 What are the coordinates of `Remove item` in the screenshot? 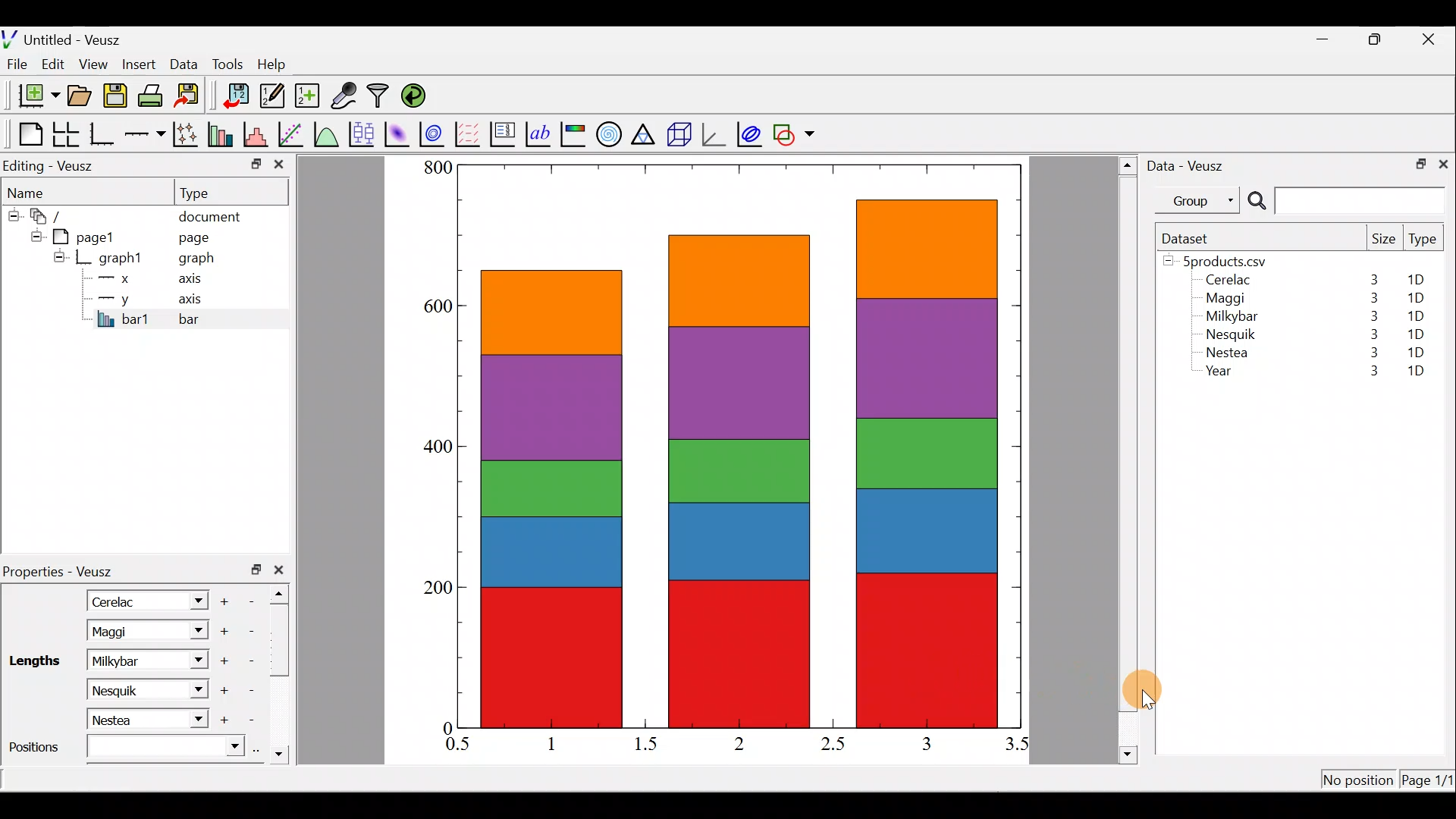 It's located at (256, 600).